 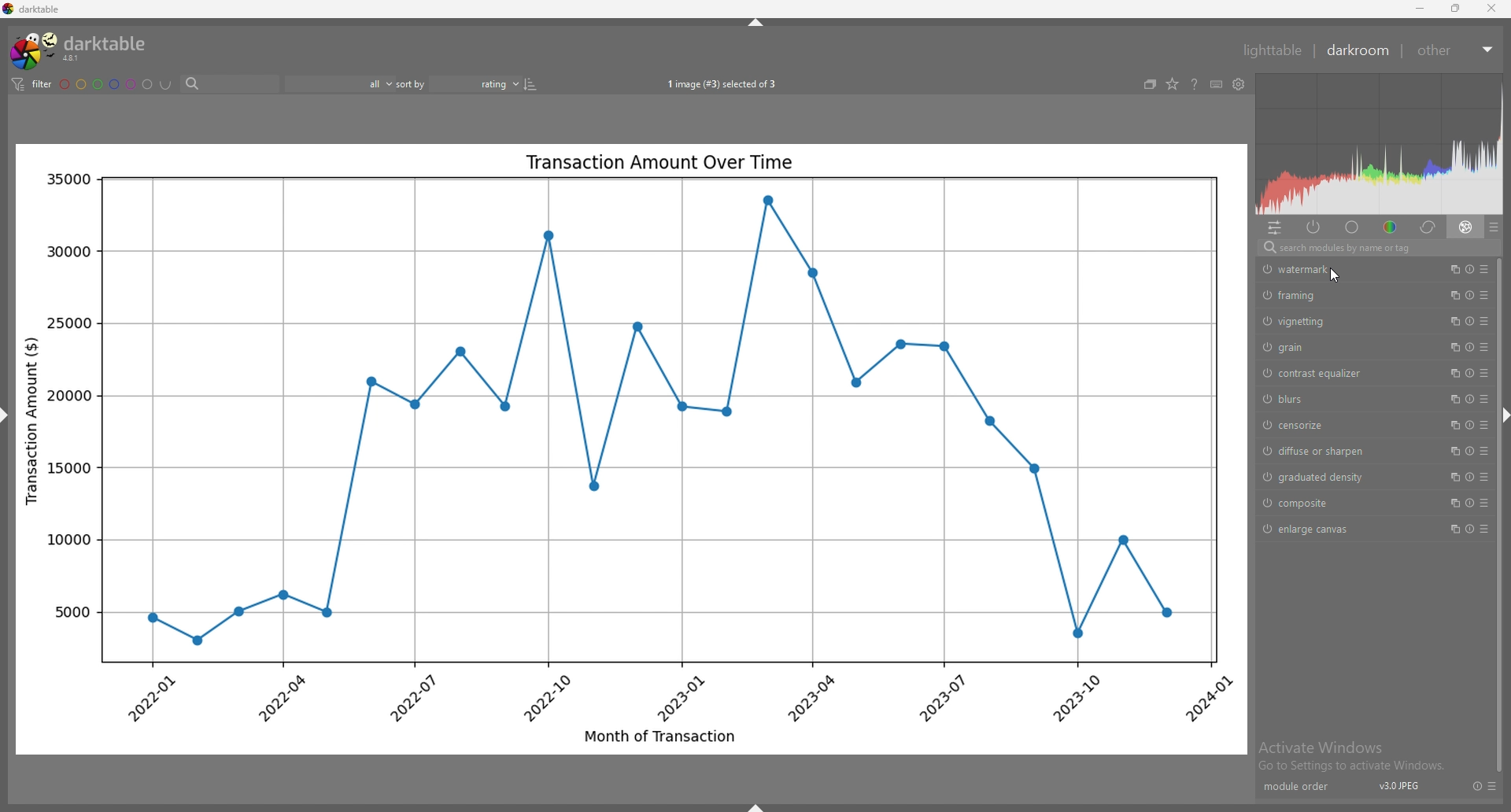 What do you see at coordinates (1469, 348) in the screenshot?
I see `reset` at bounding box center [1469, 348].